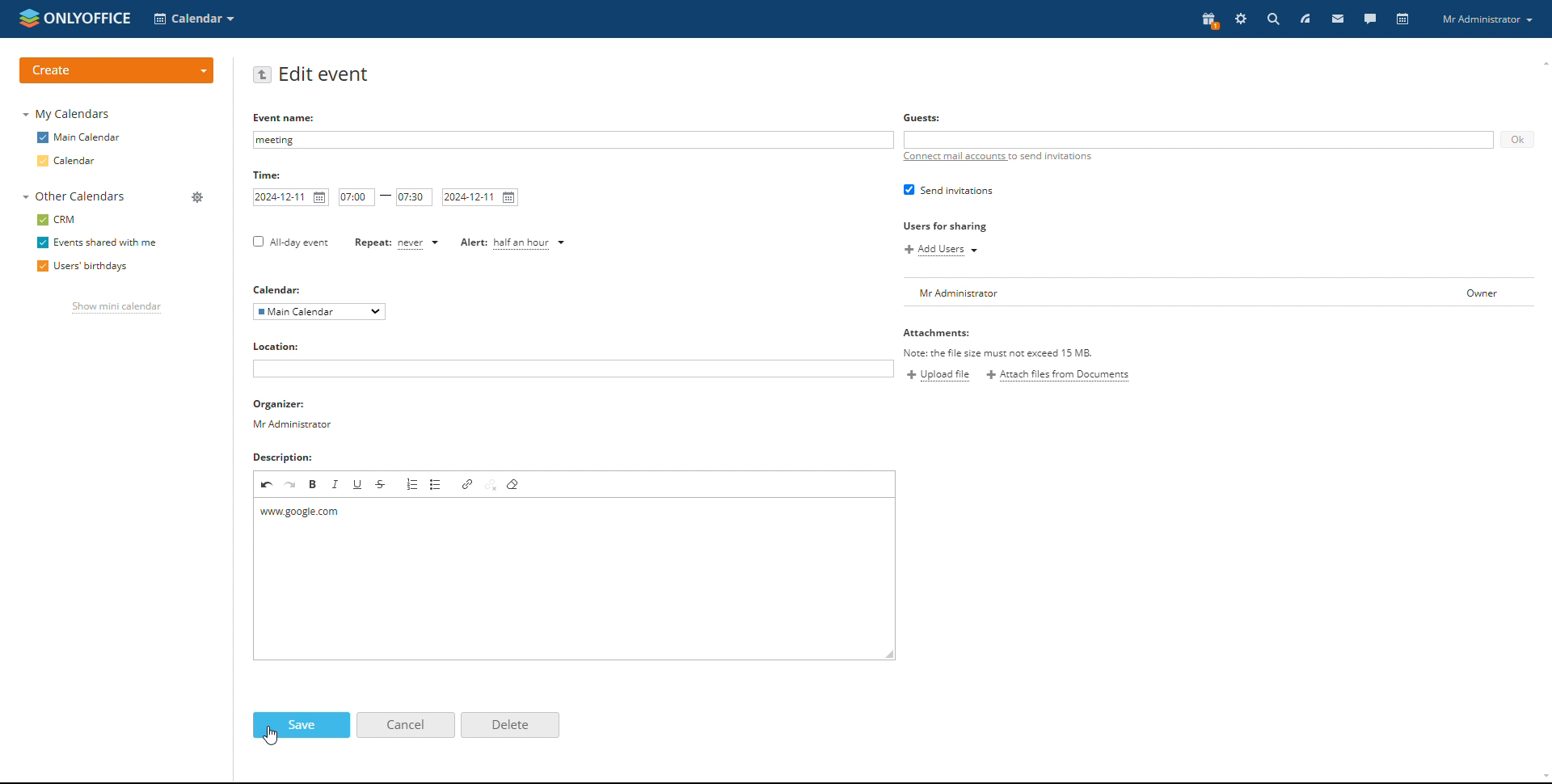  I want to click on attach files from documents, so click(1058, 374).